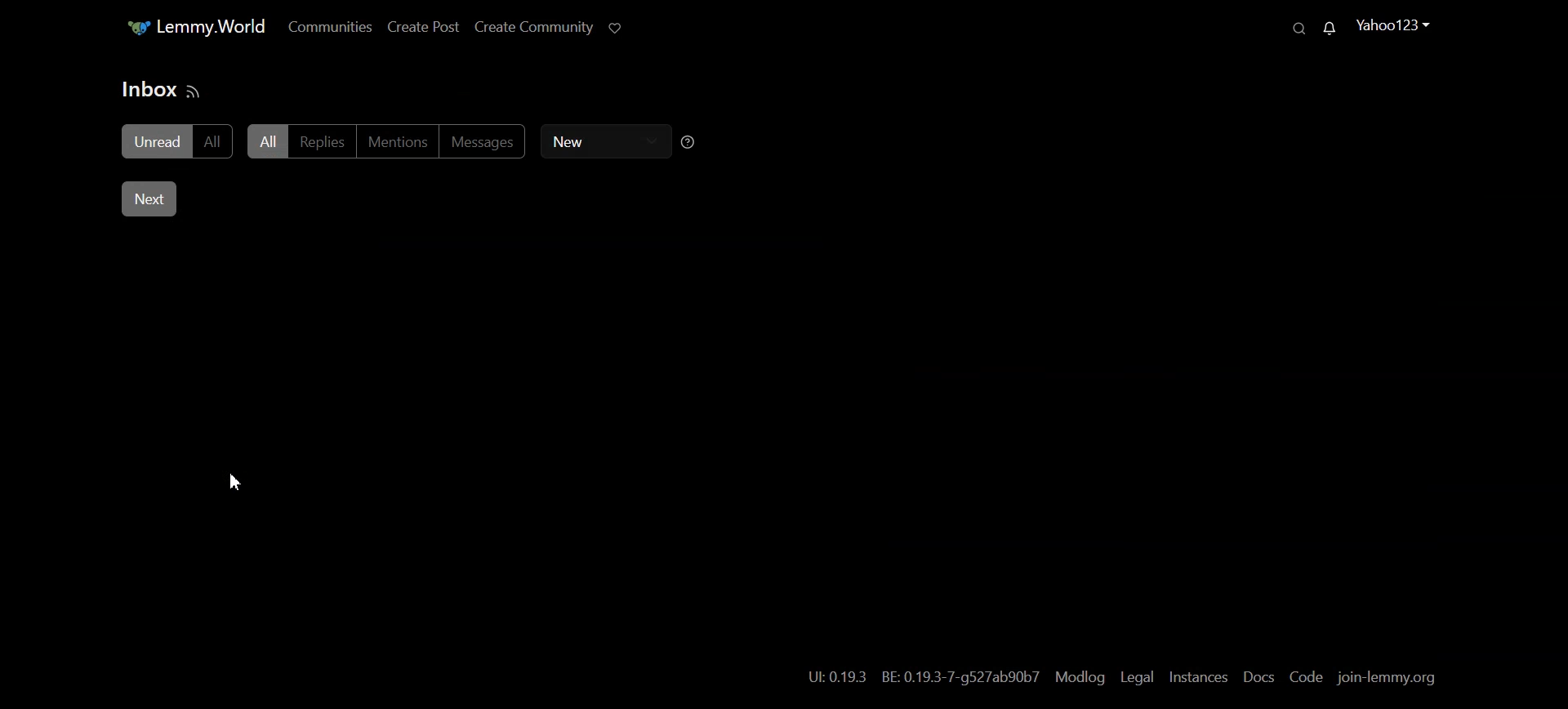  I want to click on Unread Message, so click(1330, 28).